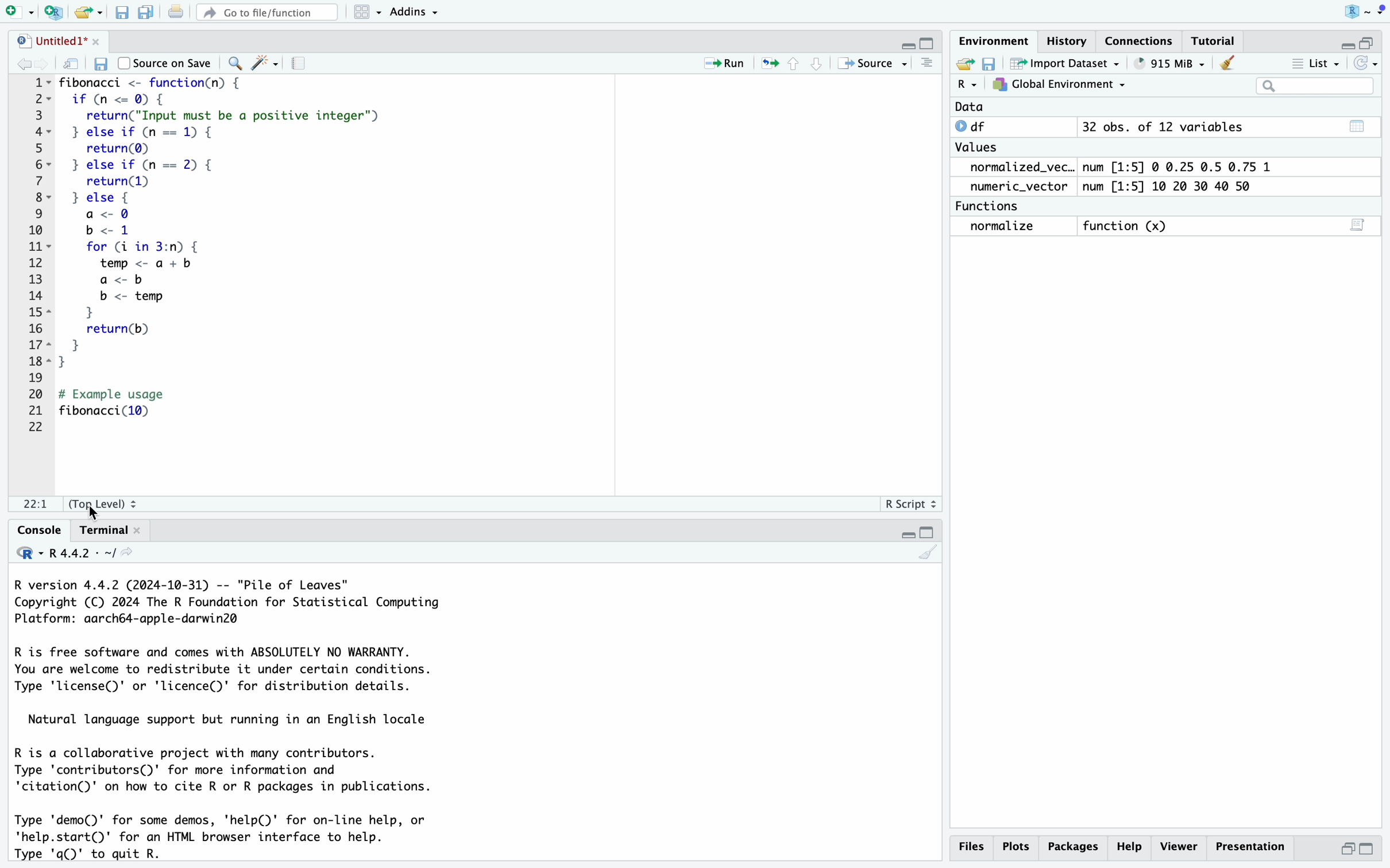  What do you see at coordinates (100, 64) in the screenshot?
I see `save current document` at bounding box center [100, 64].